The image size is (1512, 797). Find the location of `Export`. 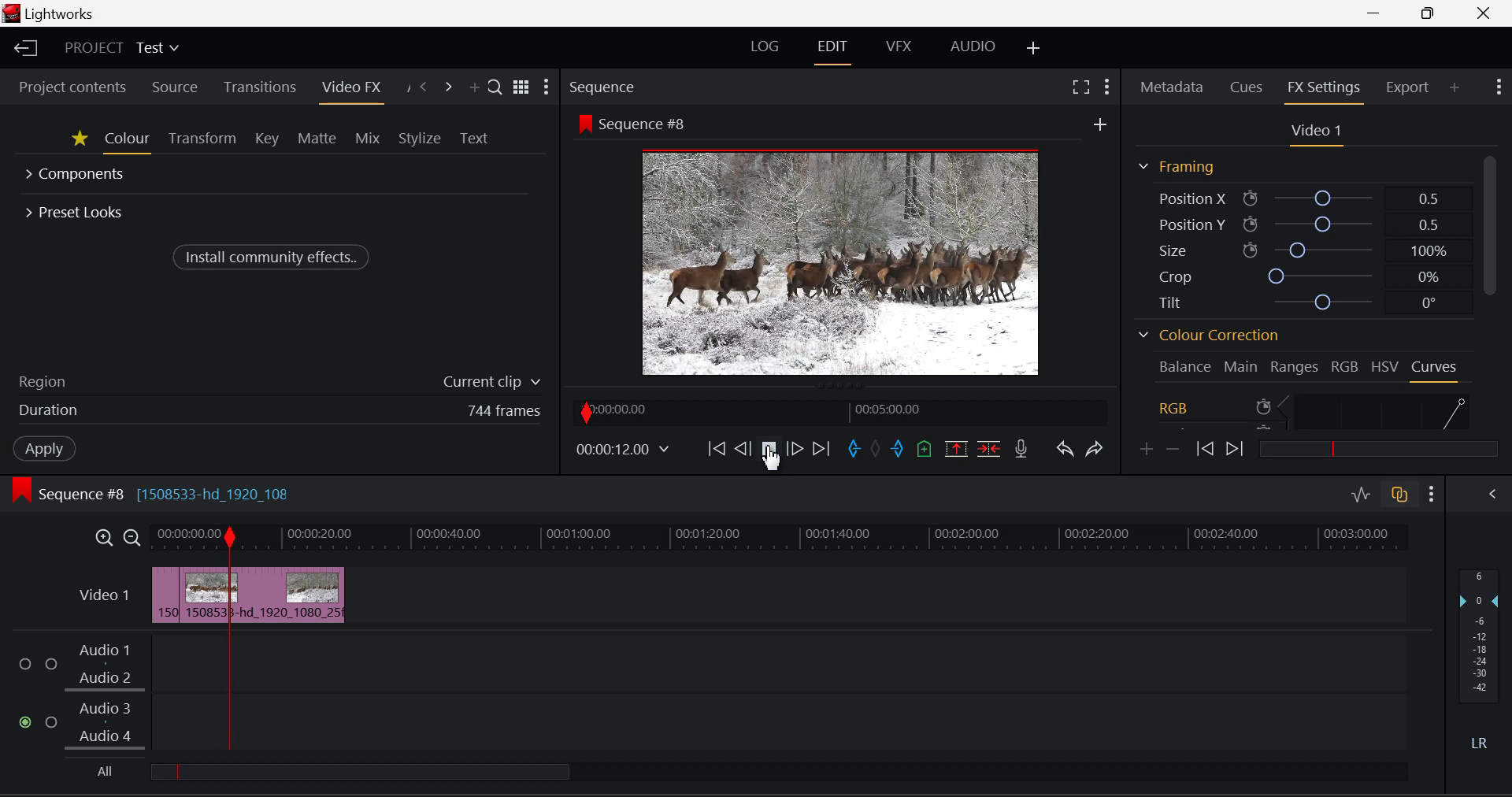

Export is located at coordinates (1407, 85).